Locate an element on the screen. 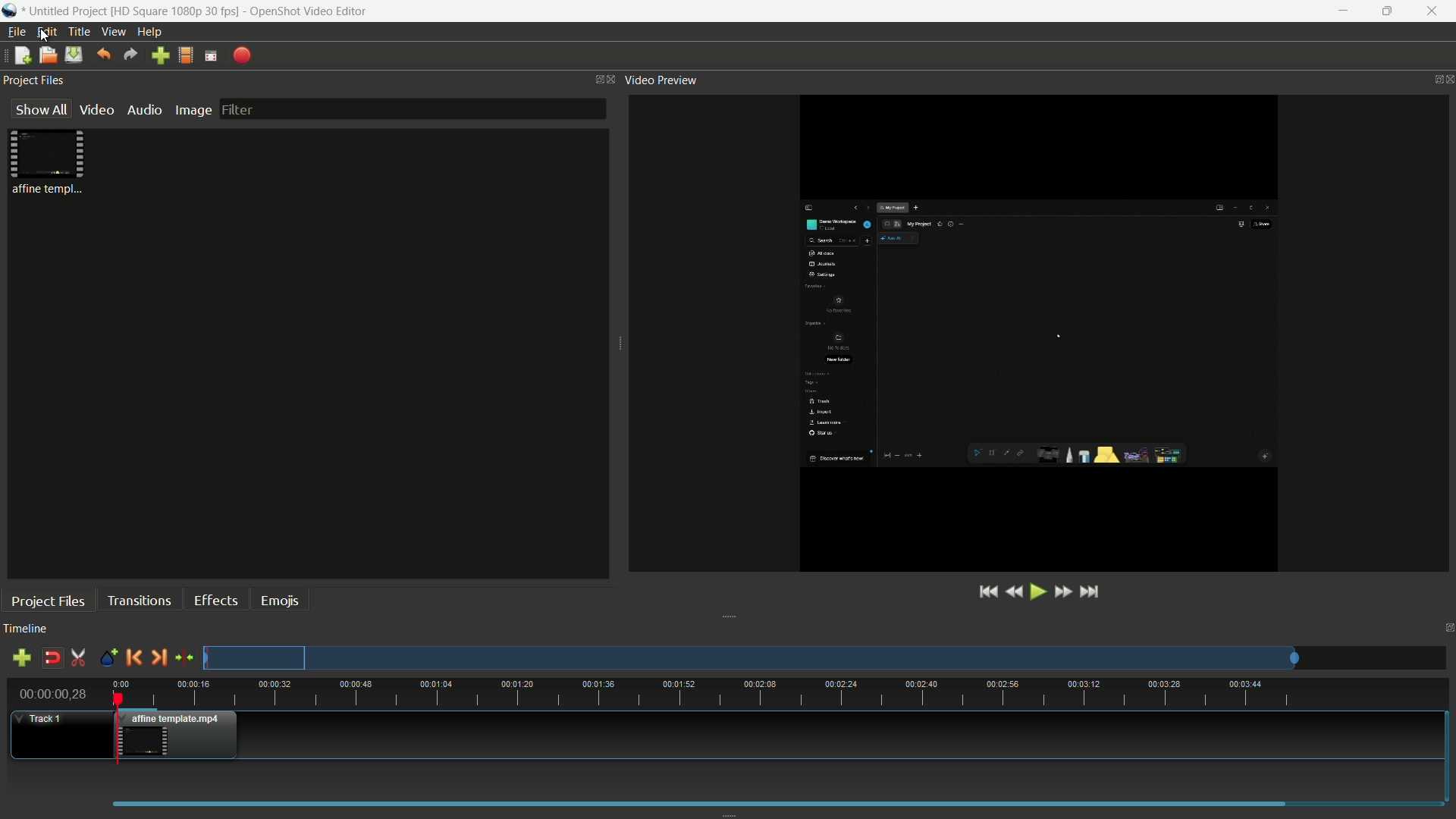  time is located at coordinates (780, 694).